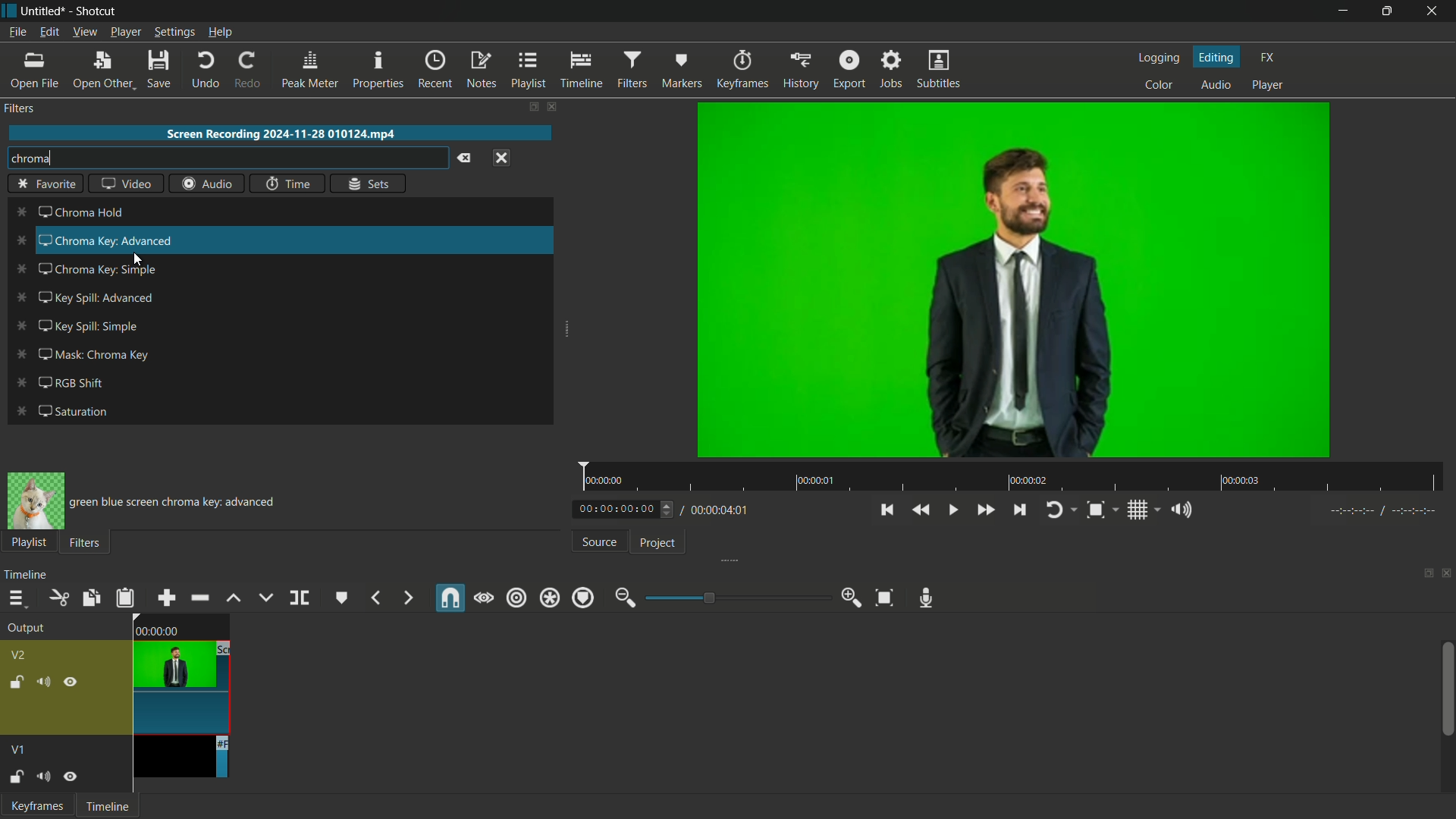  Describe the element at coordinates (741, 70) in the screenshot. I see `keyframes` at that location.